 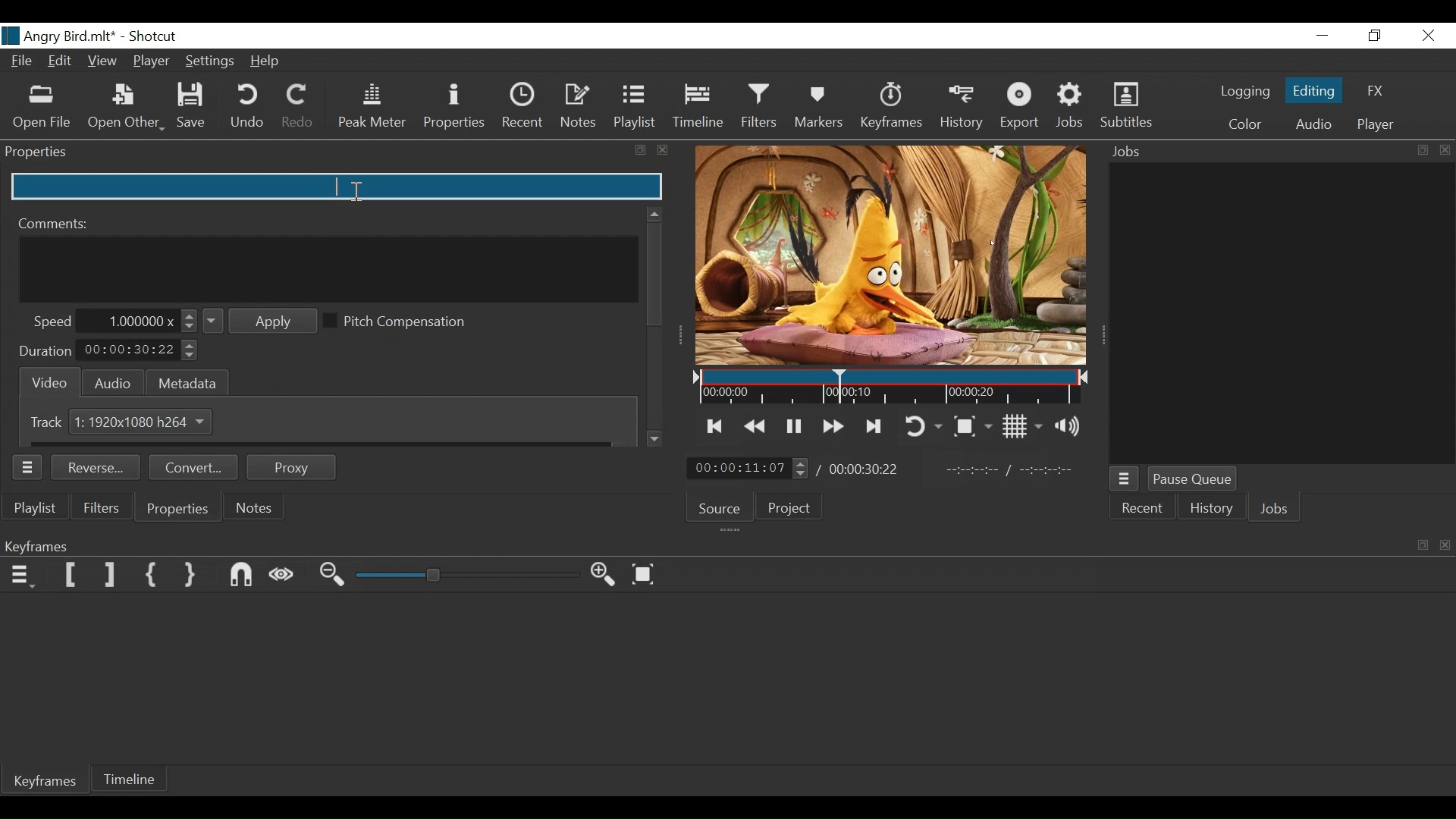 I want to click on FX, so click(x=1376, y=90).